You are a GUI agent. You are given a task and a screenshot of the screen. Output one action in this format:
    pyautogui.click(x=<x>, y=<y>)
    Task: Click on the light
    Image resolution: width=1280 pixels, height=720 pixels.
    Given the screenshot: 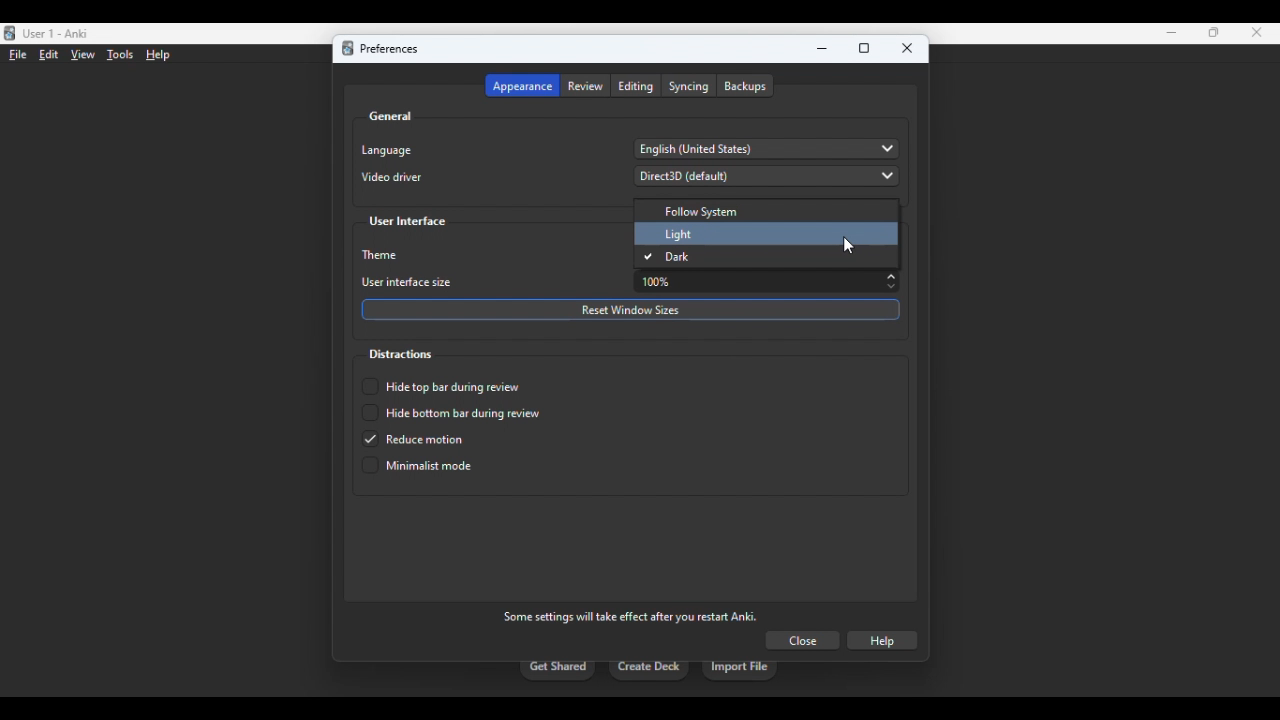 What is the action you would take?
    pyautogui.click(x=680, y=234)
    